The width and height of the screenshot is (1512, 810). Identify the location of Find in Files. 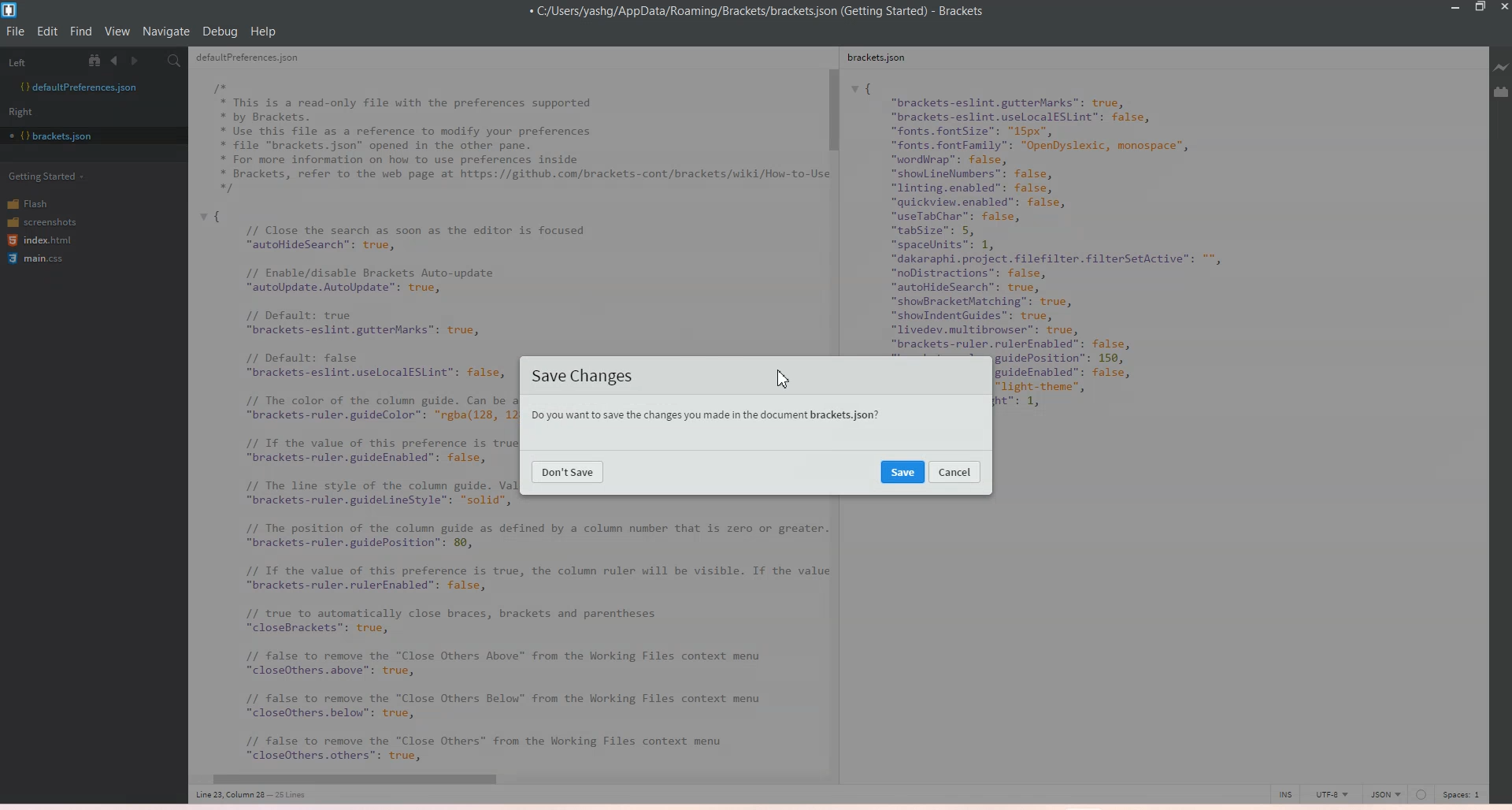
(176, 61).